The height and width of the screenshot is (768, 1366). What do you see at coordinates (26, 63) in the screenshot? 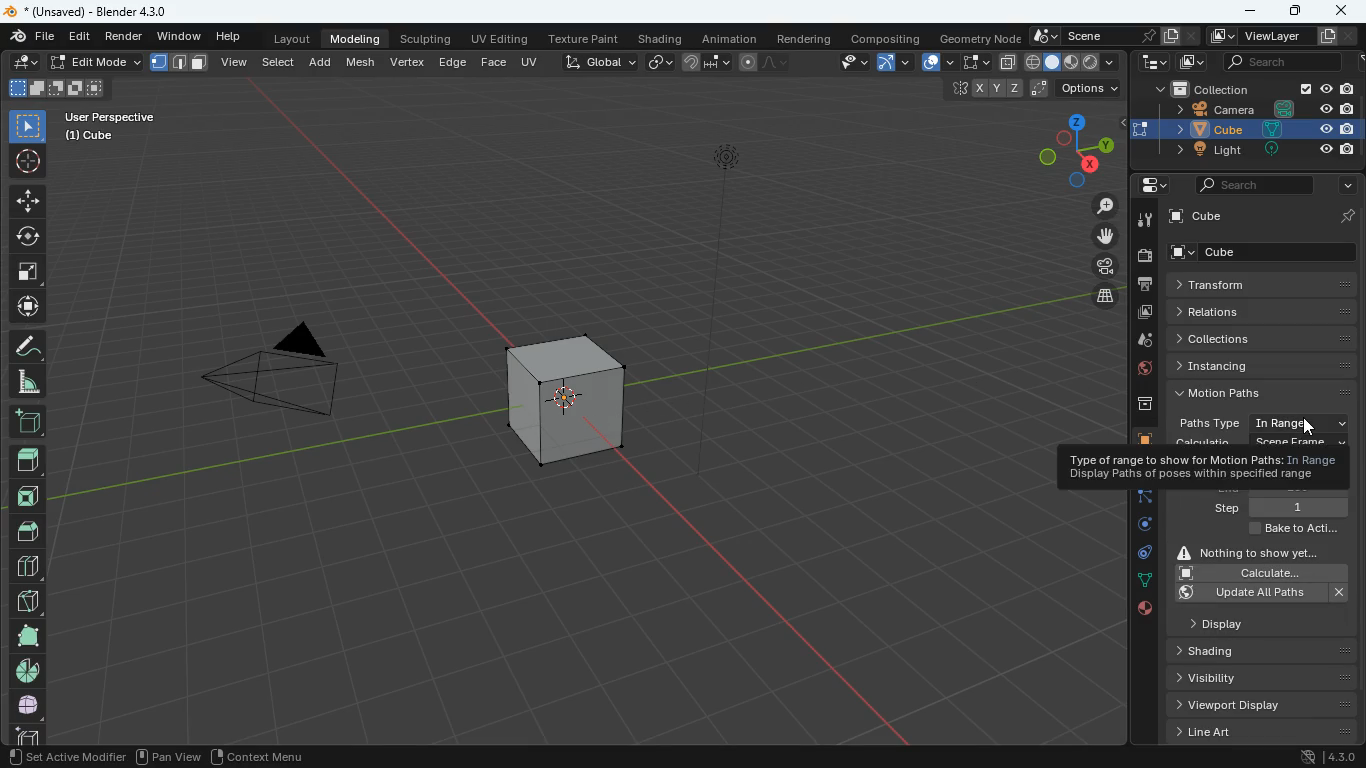
I see `edit` at bounding box center [26, 63].